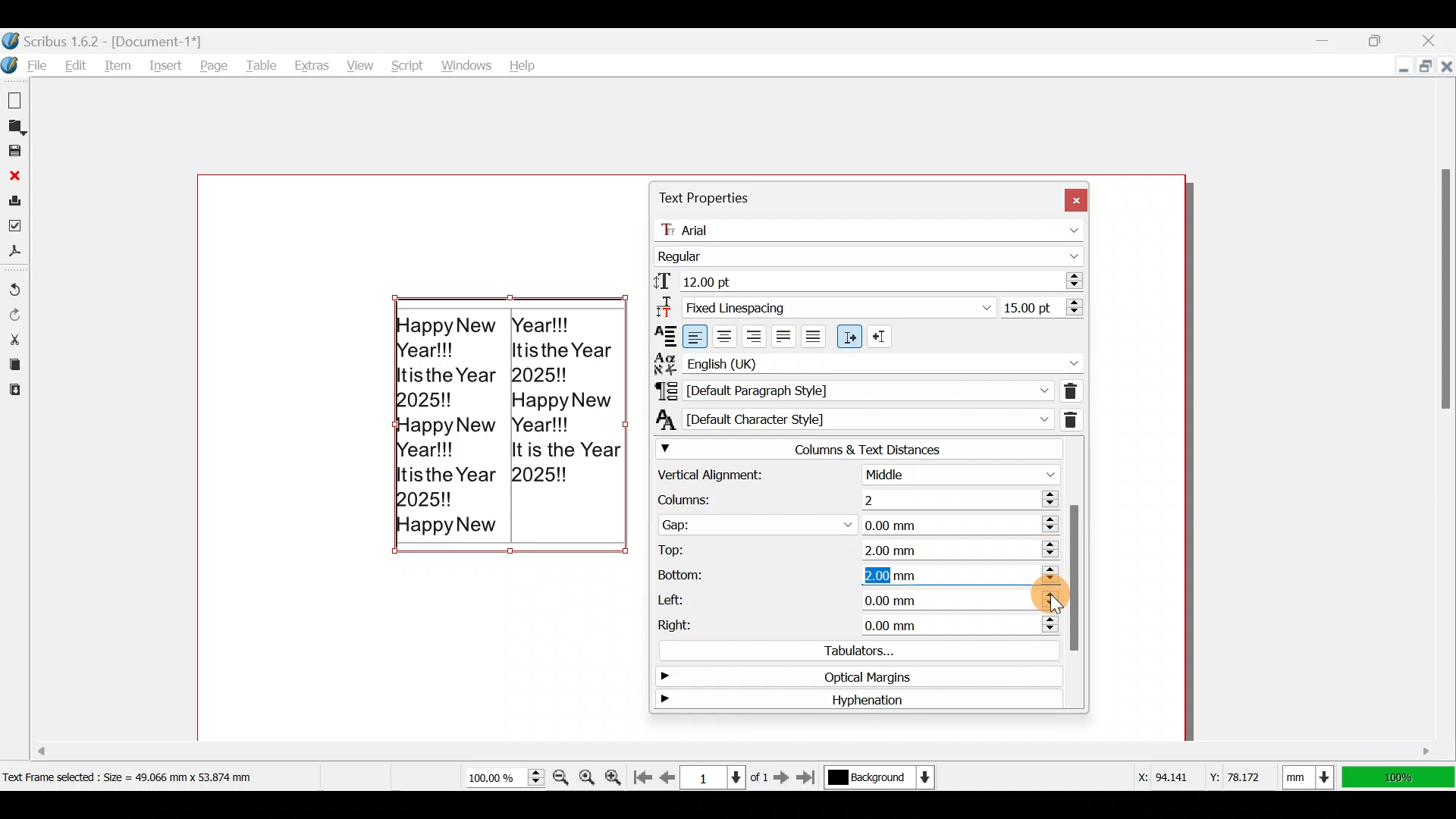 The height and width of the screenshot is (819, 1456). Describe the element at coordinates (17, 127) in the screenshot. I see `Open` at that location.